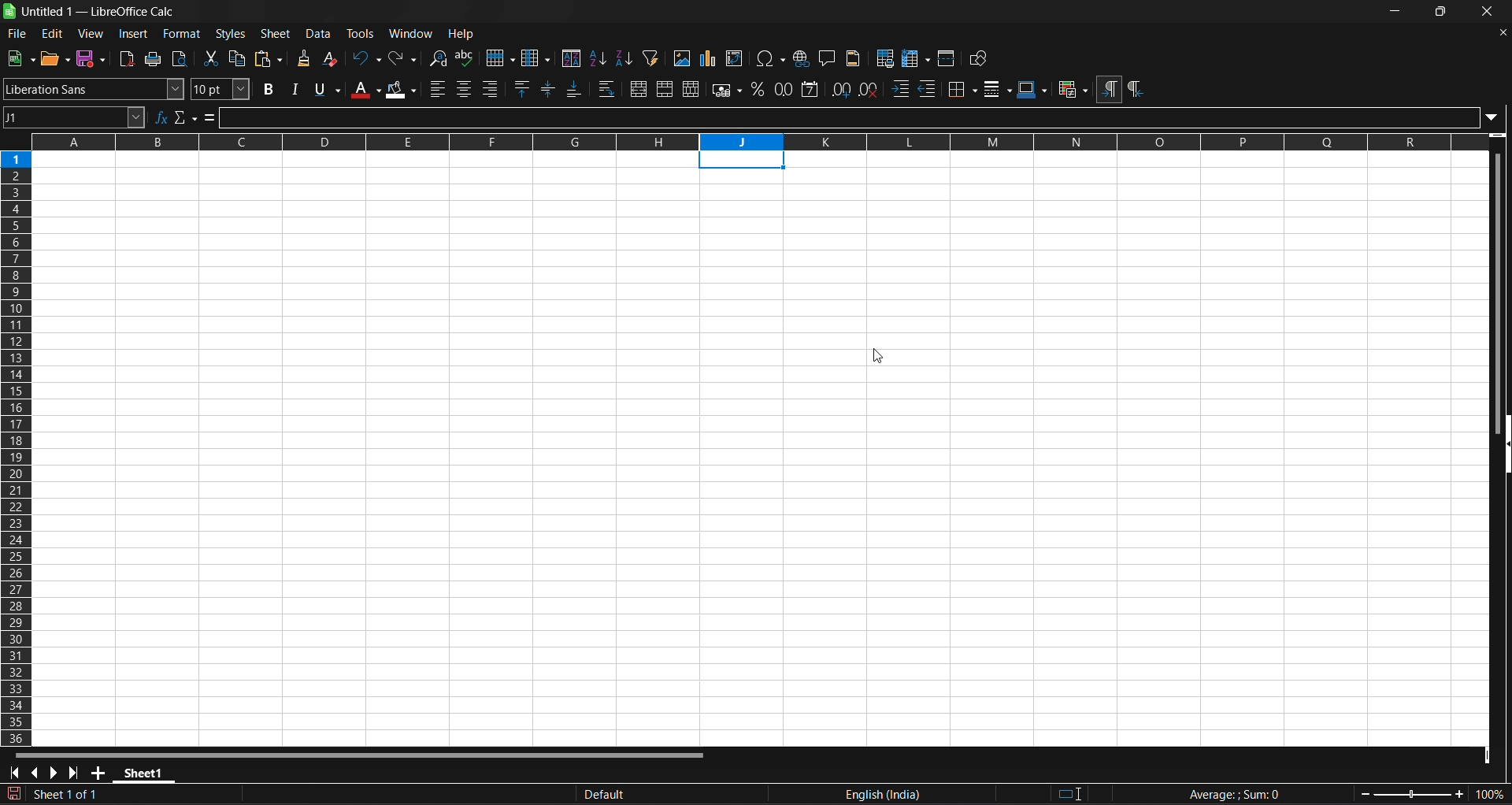 Image resolution: width=1512 pixels, height=805 pixels. Describe the element at coordinates (361, 32) in the screenshot. I see `tools` at that location.